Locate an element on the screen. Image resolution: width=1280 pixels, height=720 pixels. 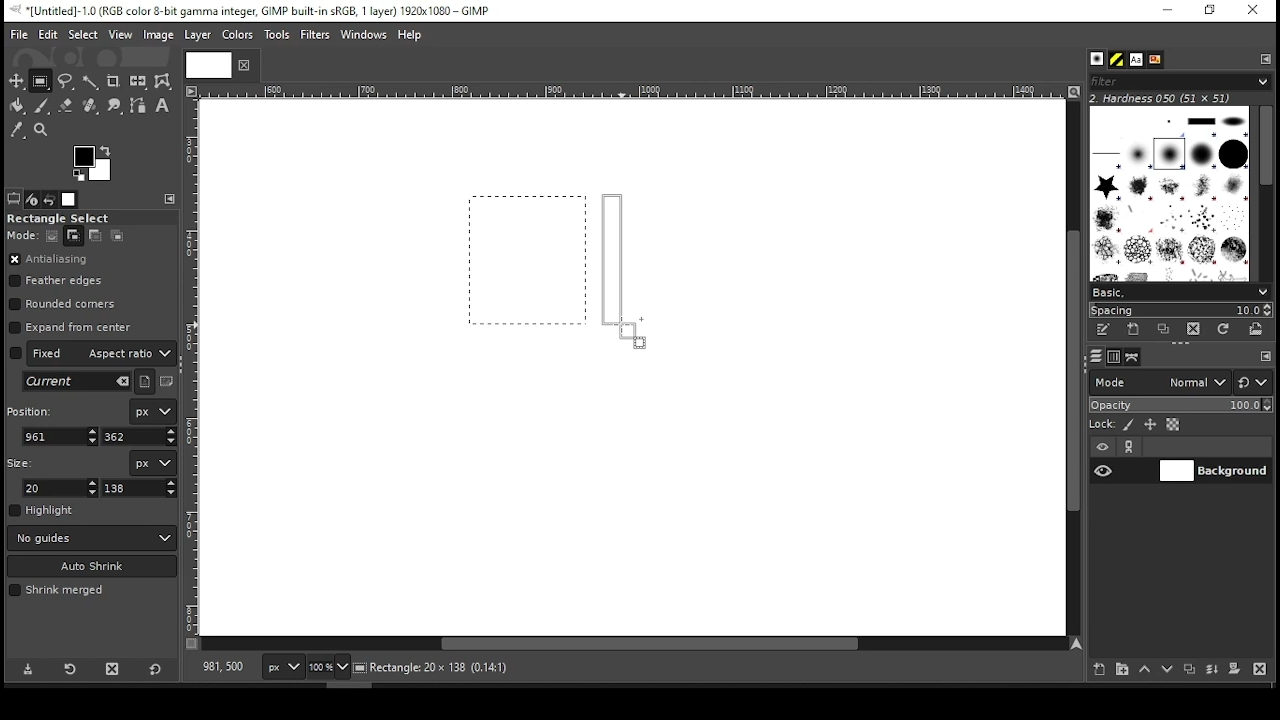
shrink merged is located at coordinates (56, 590).